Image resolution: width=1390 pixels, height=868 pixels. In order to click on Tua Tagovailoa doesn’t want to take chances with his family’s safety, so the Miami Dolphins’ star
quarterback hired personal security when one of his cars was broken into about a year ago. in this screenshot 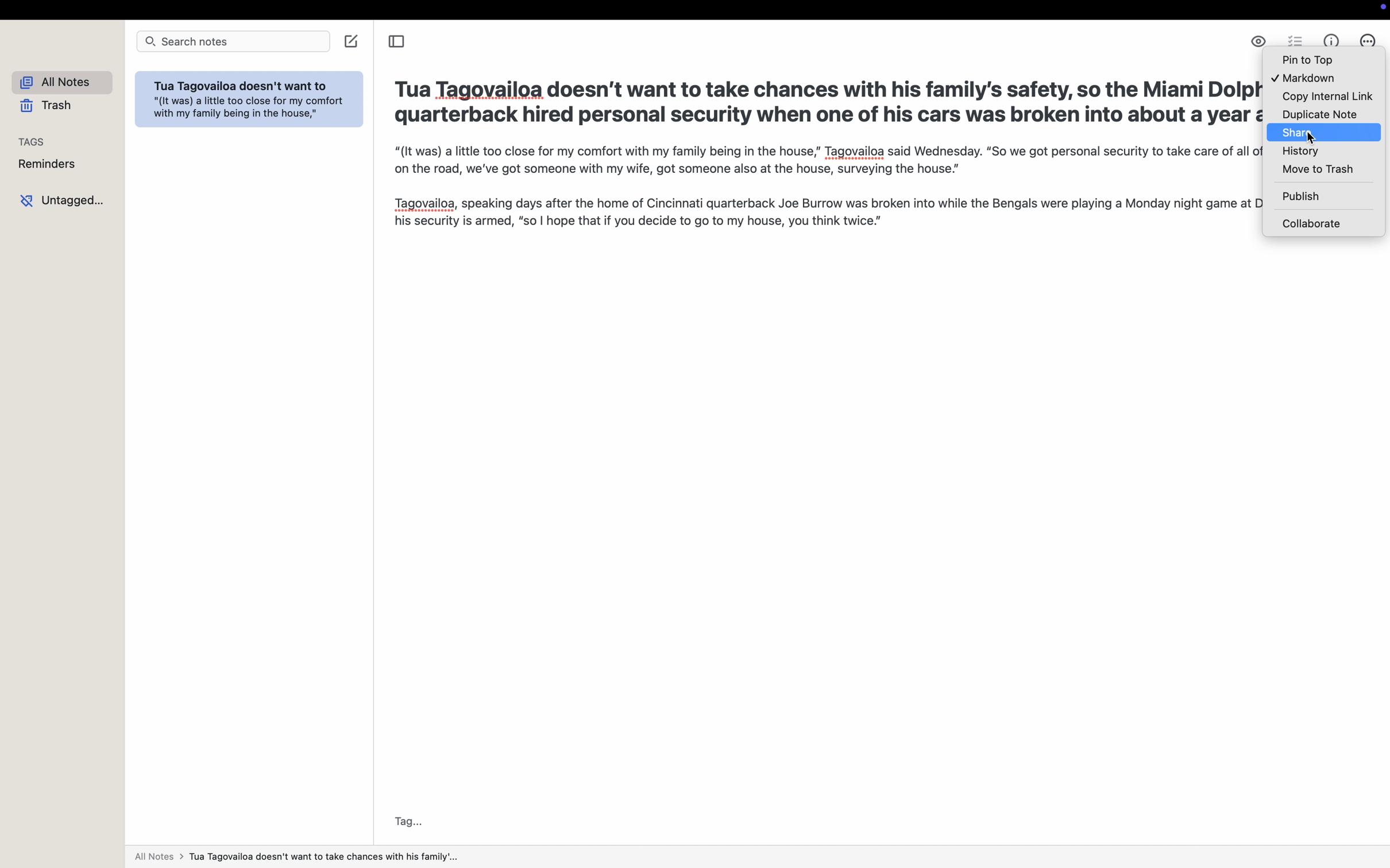, I will do `click(826, 102)`.